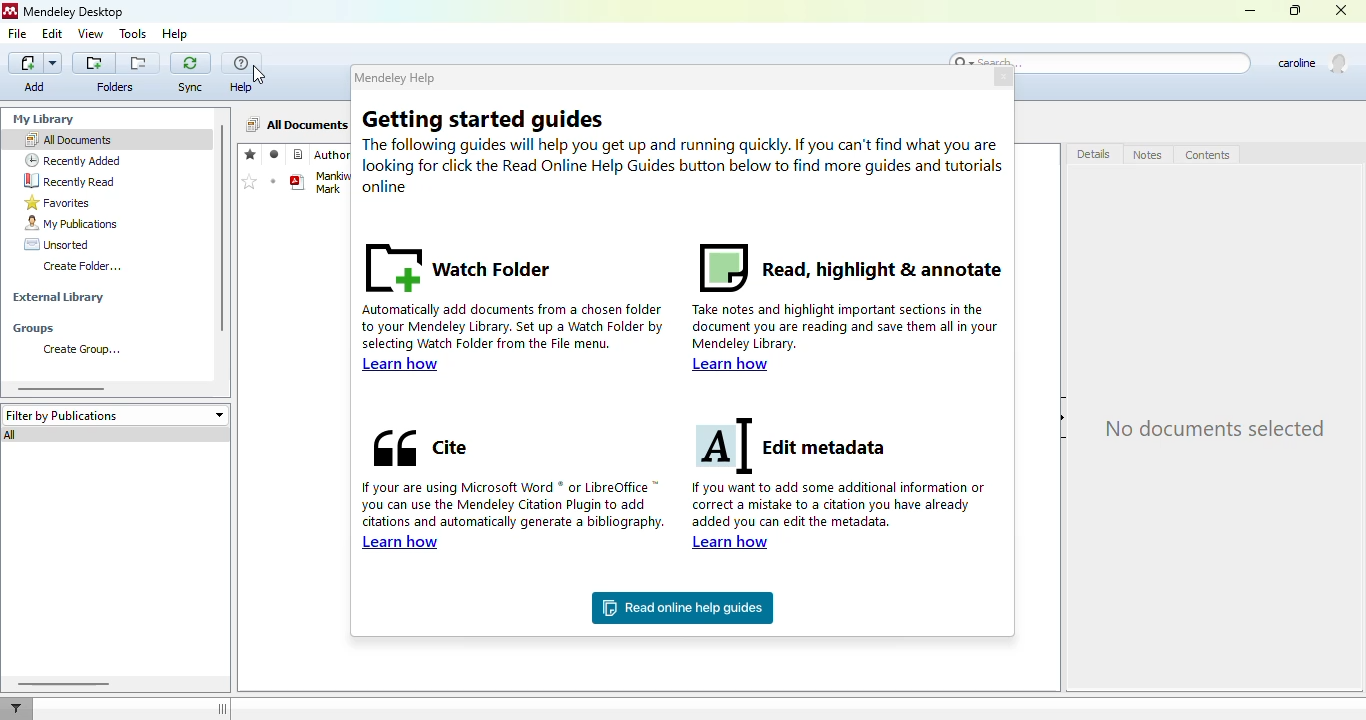  What do you see at coordinates (397, 78) in the screenshot?
I see `mendeley help` at bounding box center [397, 78].